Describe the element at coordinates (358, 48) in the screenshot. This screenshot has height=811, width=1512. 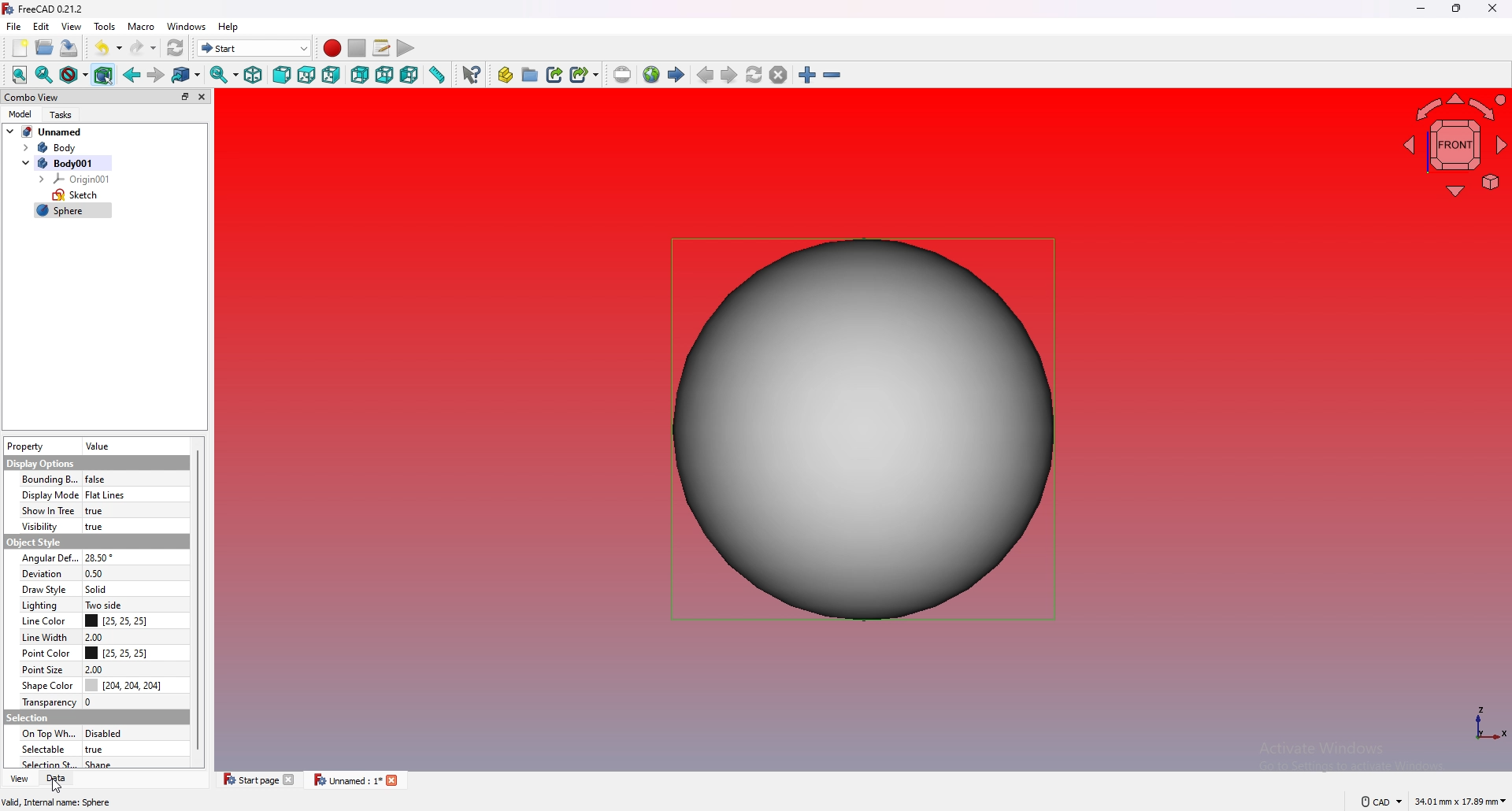
I see `stop macro` at that location.